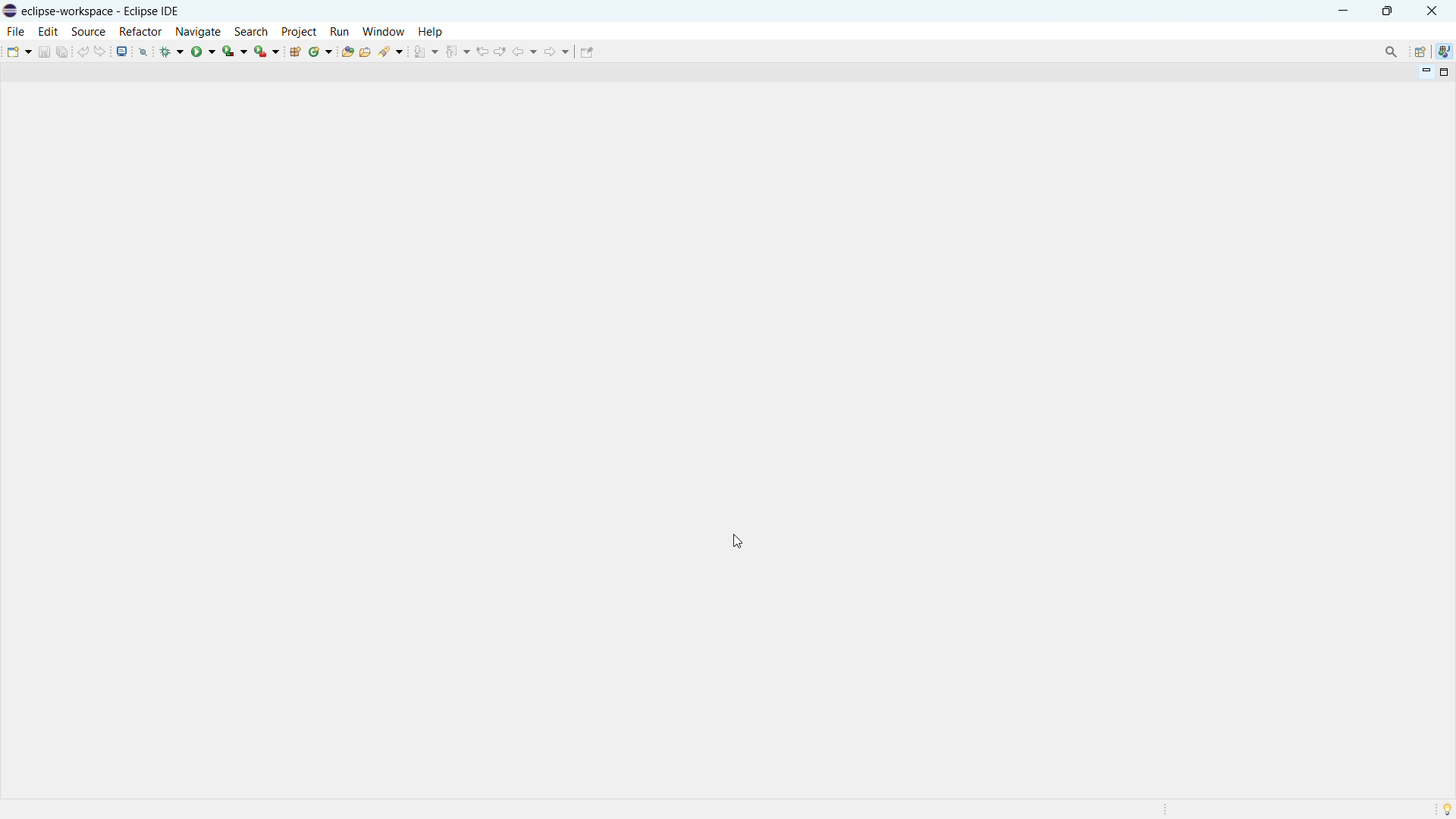 The height and width of the screenshot is (819, 1456). Describe the element at coordinates (483, 51) in the screenshot. I see `view previous location` at that location.